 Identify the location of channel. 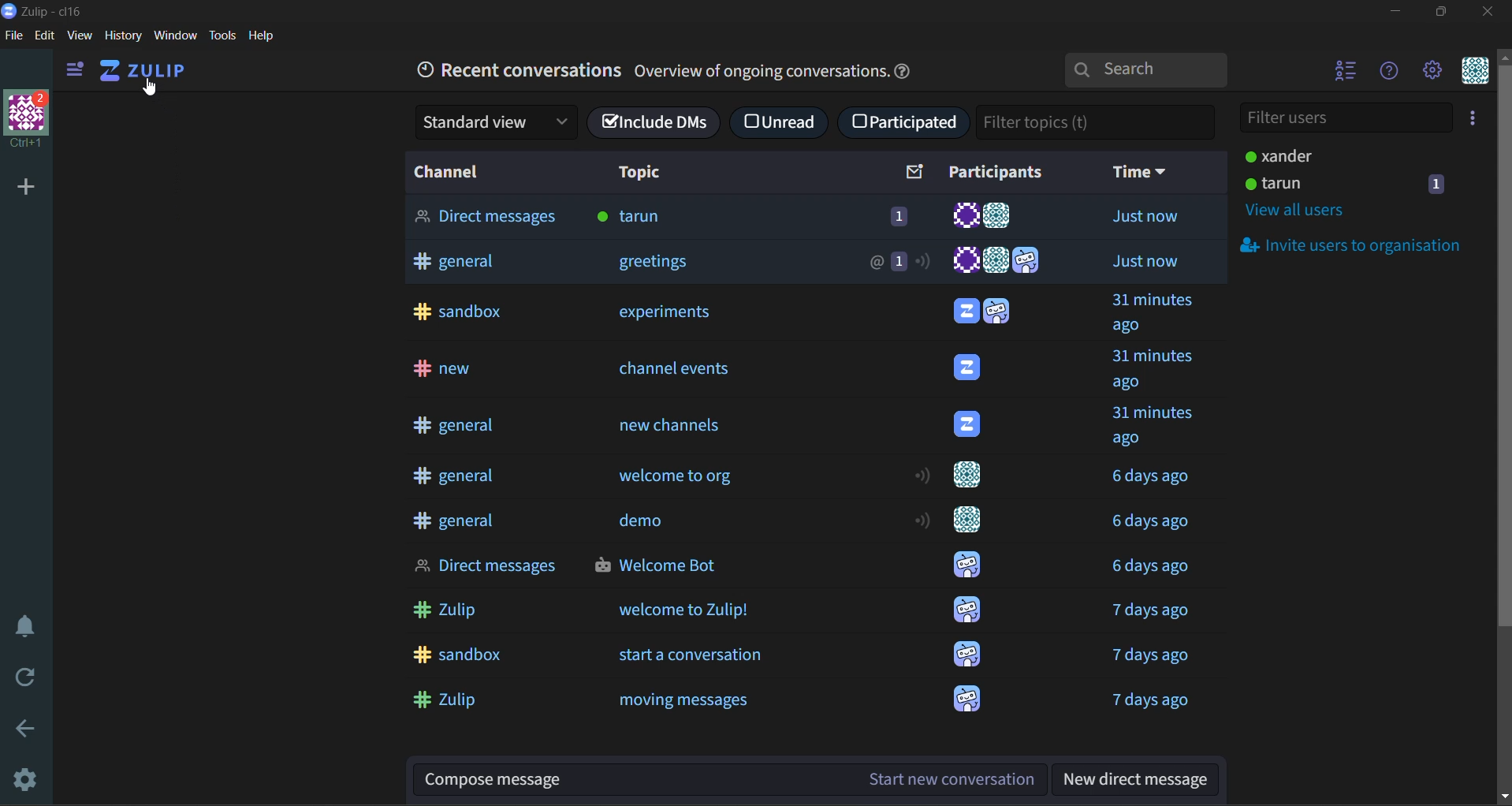
(460, 174).